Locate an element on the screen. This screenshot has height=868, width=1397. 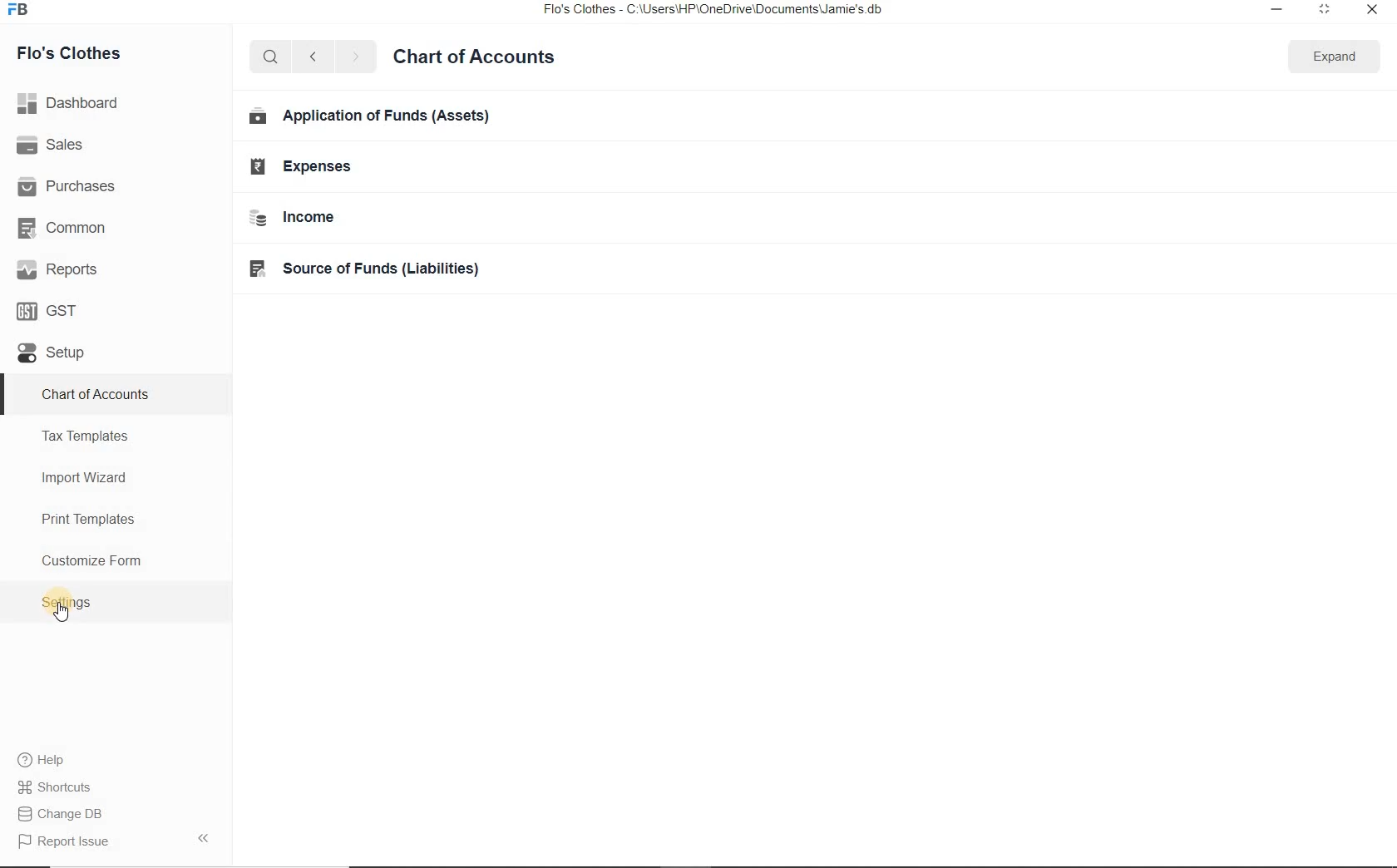
close window is located at coordinates (1374, 11).